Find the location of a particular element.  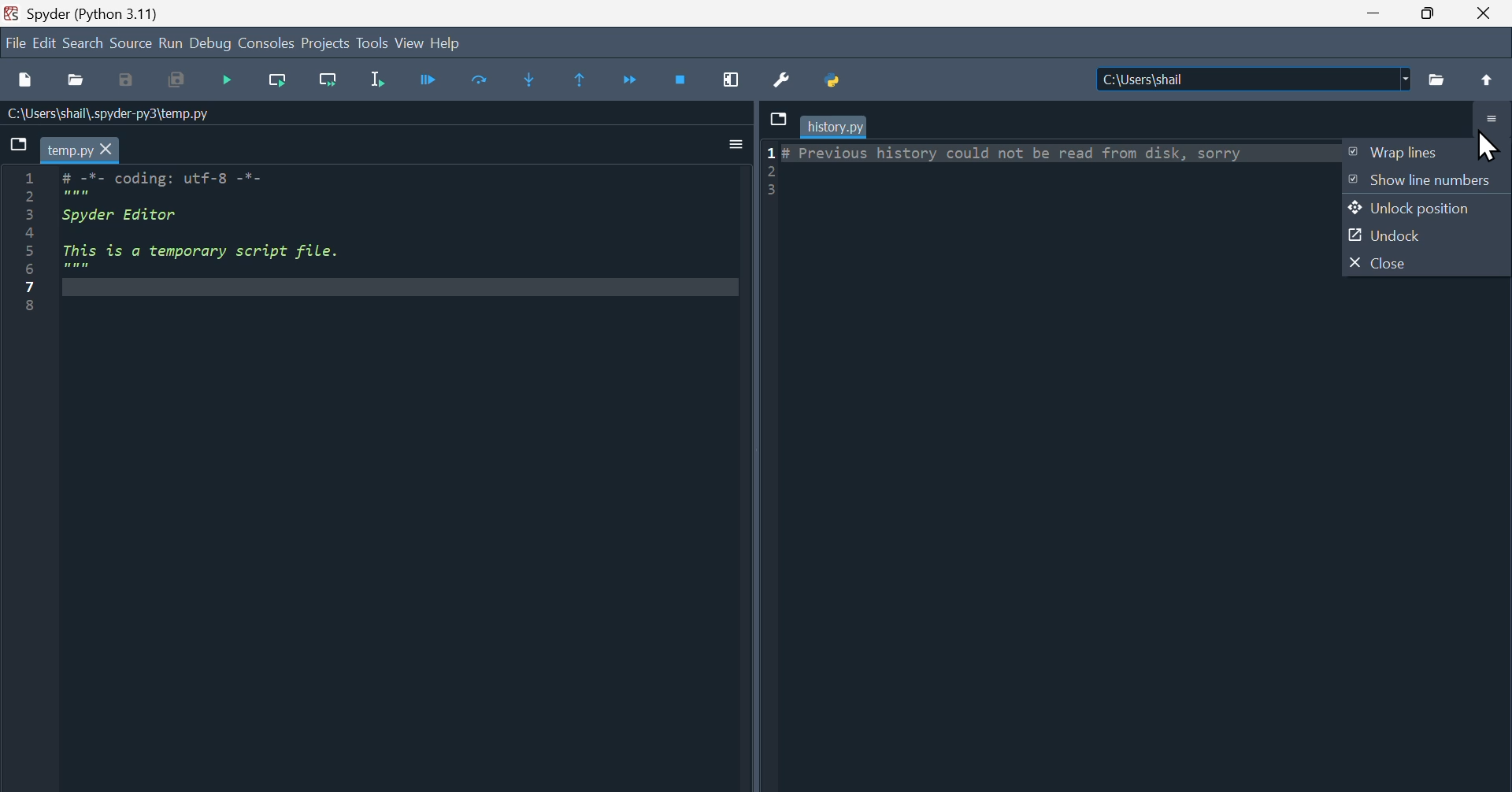

1 2 3  is located at coordinates (772, 171).